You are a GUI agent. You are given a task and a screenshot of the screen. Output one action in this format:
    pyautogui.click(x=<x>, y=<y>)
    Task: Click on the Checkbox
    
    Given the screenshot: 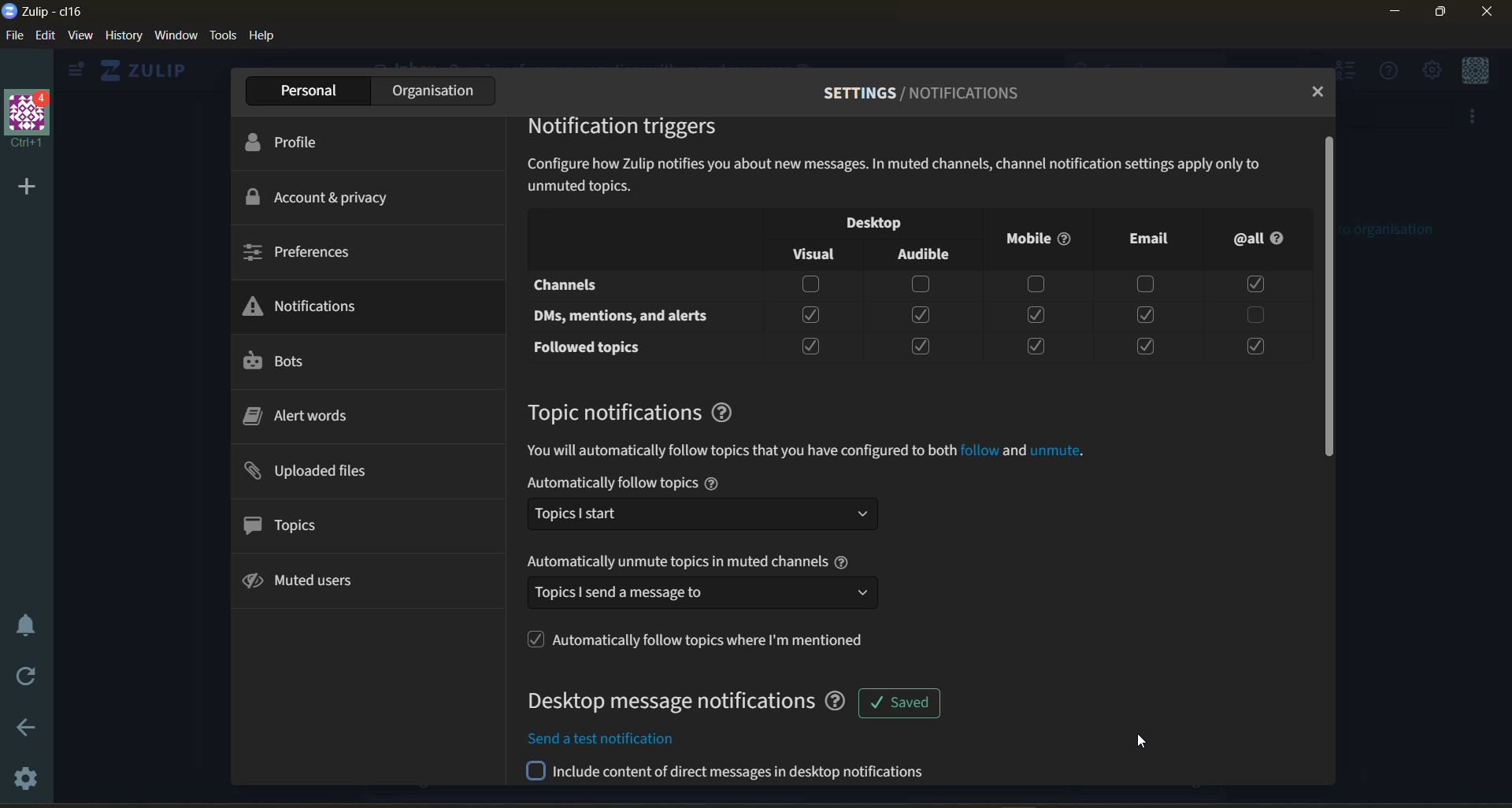 What is the action you would take?
    pyautogui.click(x=921, y=285)
    